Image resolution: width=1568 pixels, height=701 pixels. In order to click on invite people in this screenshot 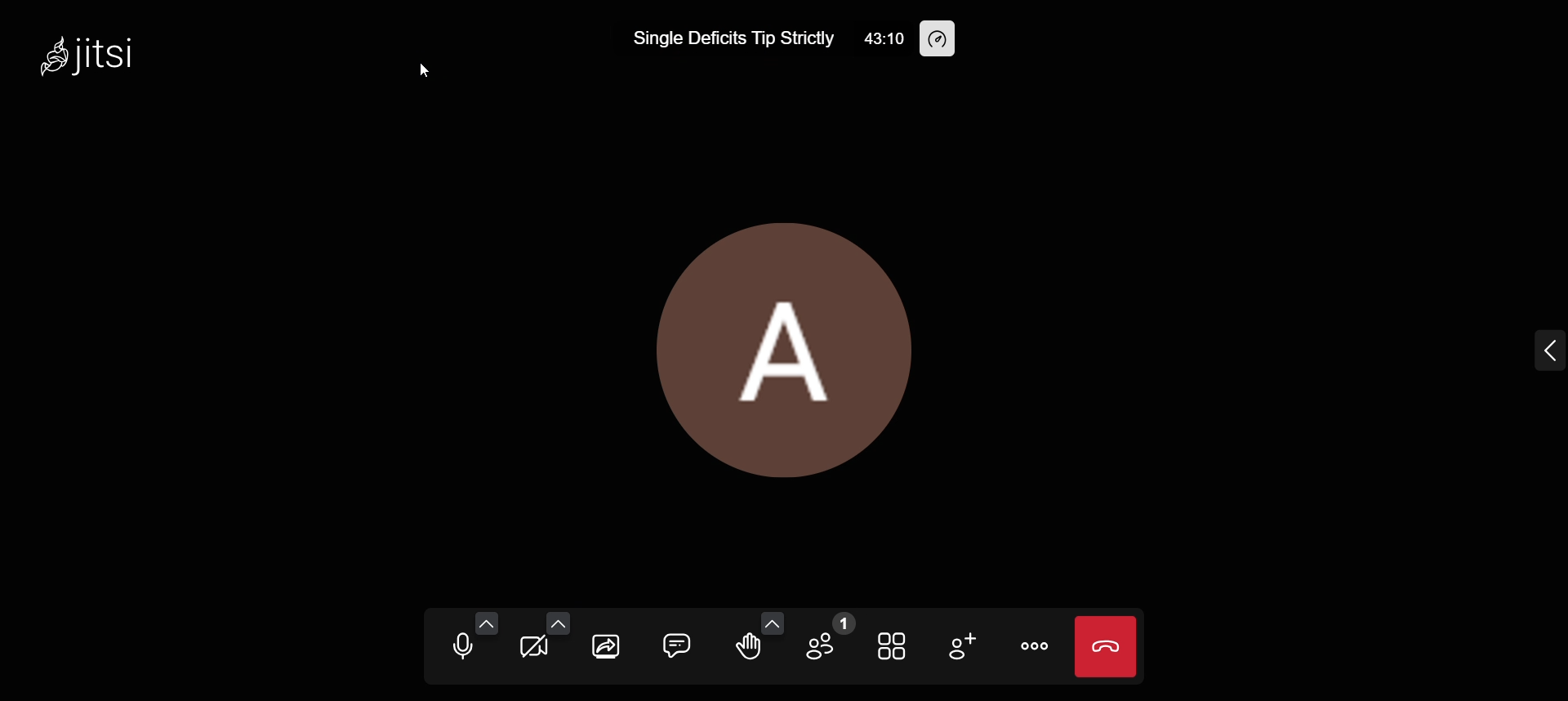, I will do `click(960, 645)`.